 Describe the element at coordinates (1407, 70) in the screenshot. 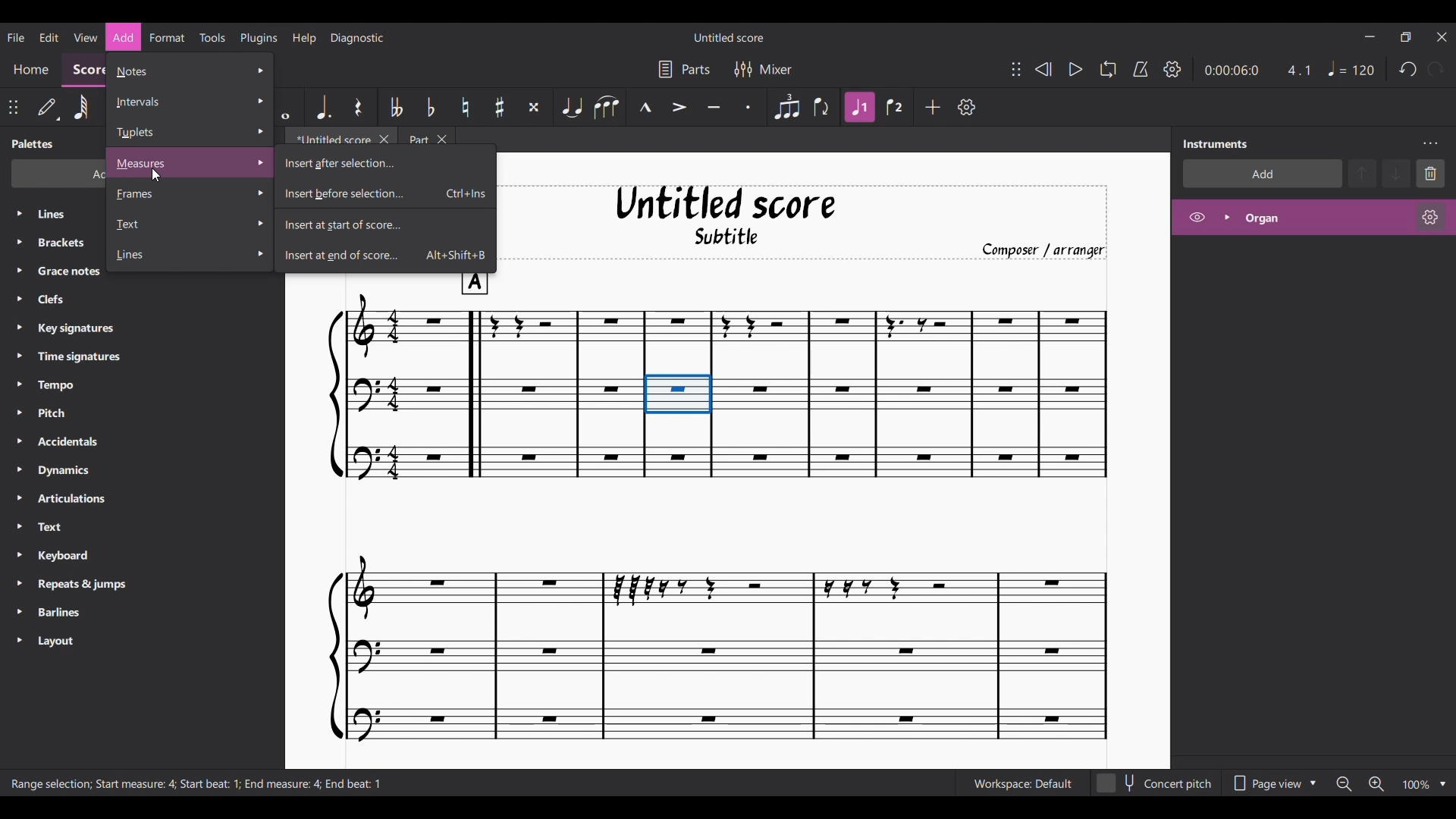

I see `Undo` at that location.